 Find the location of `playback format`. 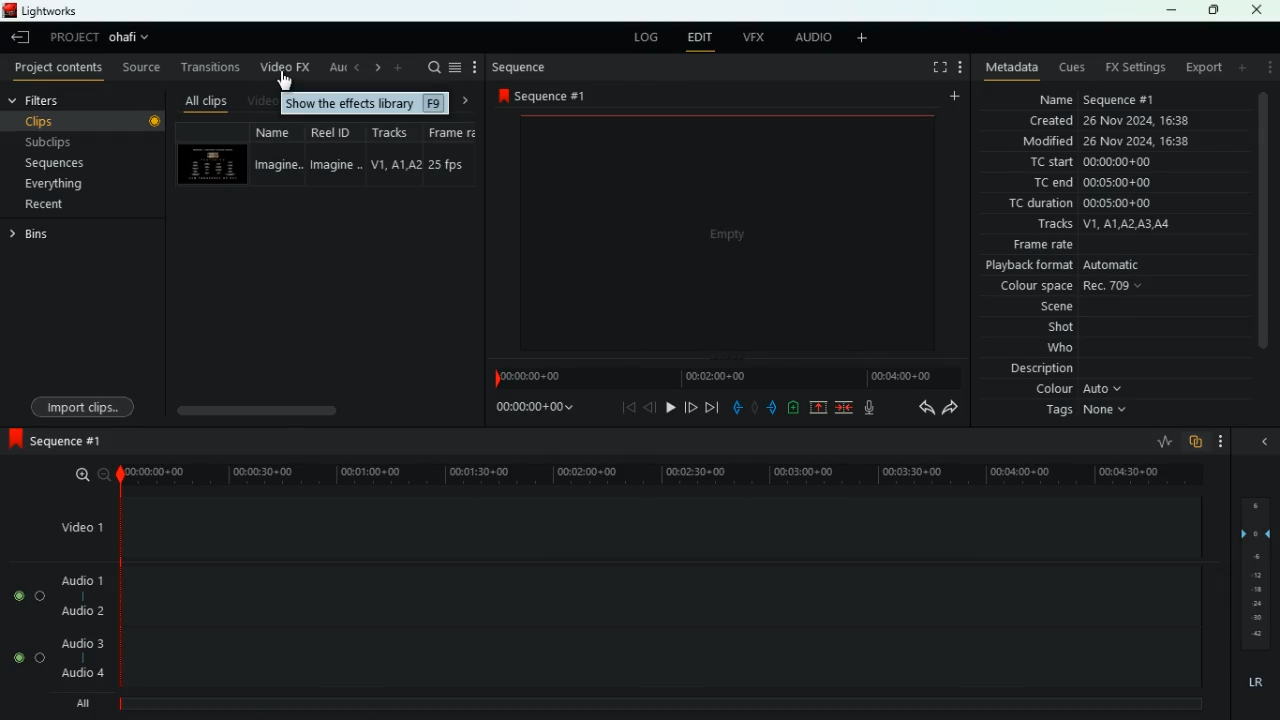

playback format is located at coordinates (1089, 266).